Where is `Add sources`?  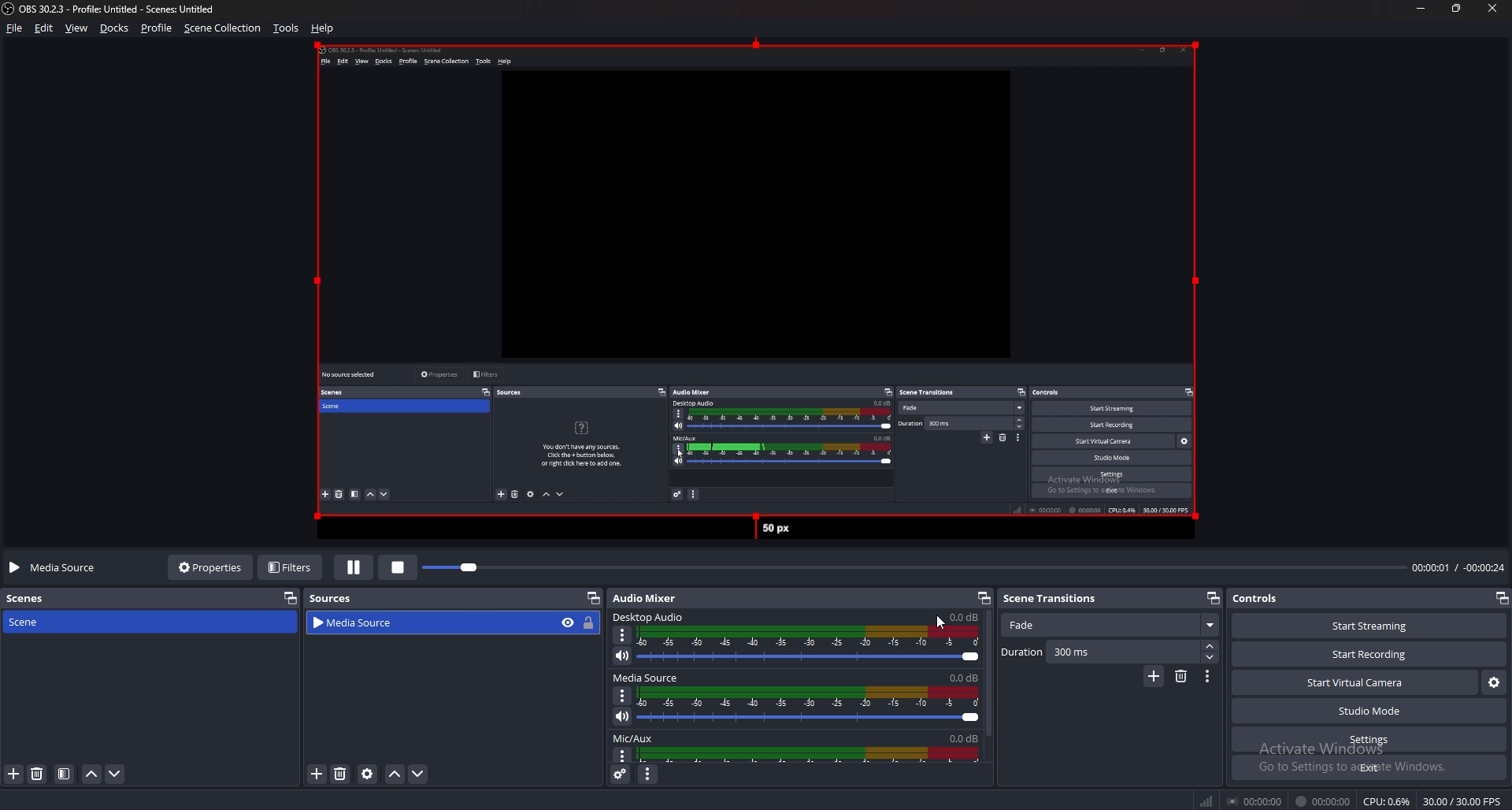 Add sources is located at coordinates (315, 773).